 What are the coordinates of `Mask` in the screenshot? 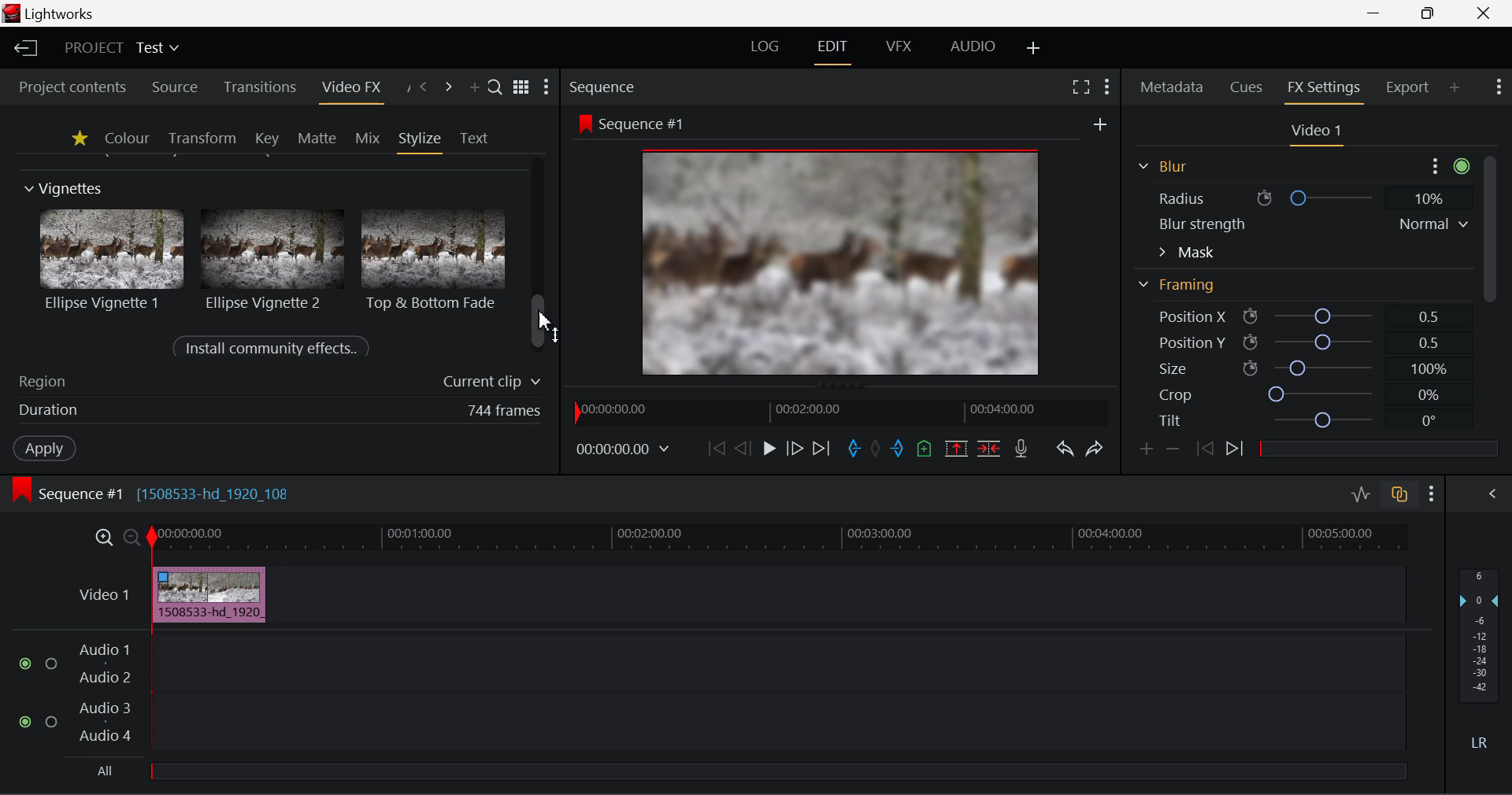 It's located at (1187, 252).